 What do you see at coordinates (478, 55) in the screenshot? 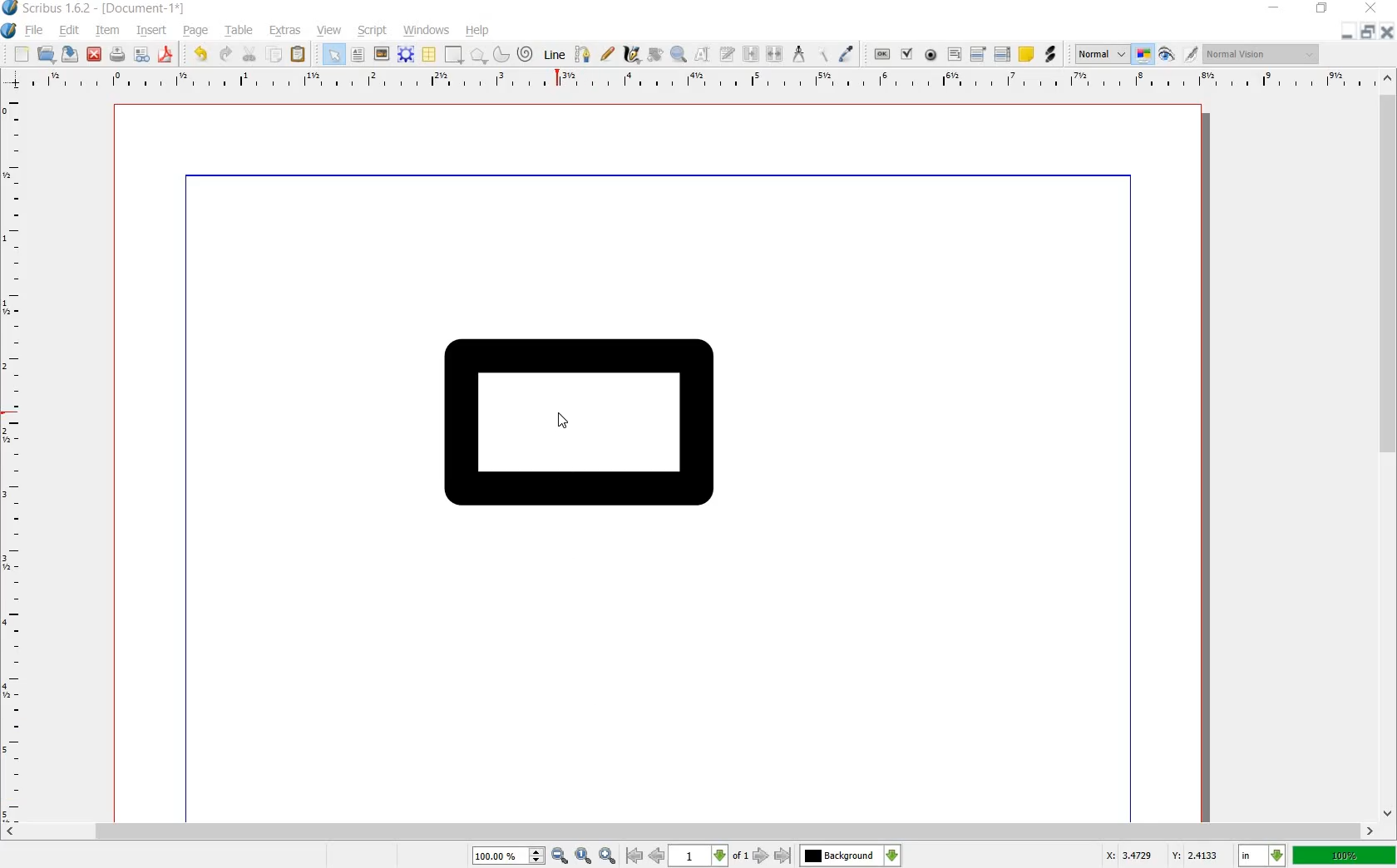
I see `polygon` at bounding box center [478, 55].